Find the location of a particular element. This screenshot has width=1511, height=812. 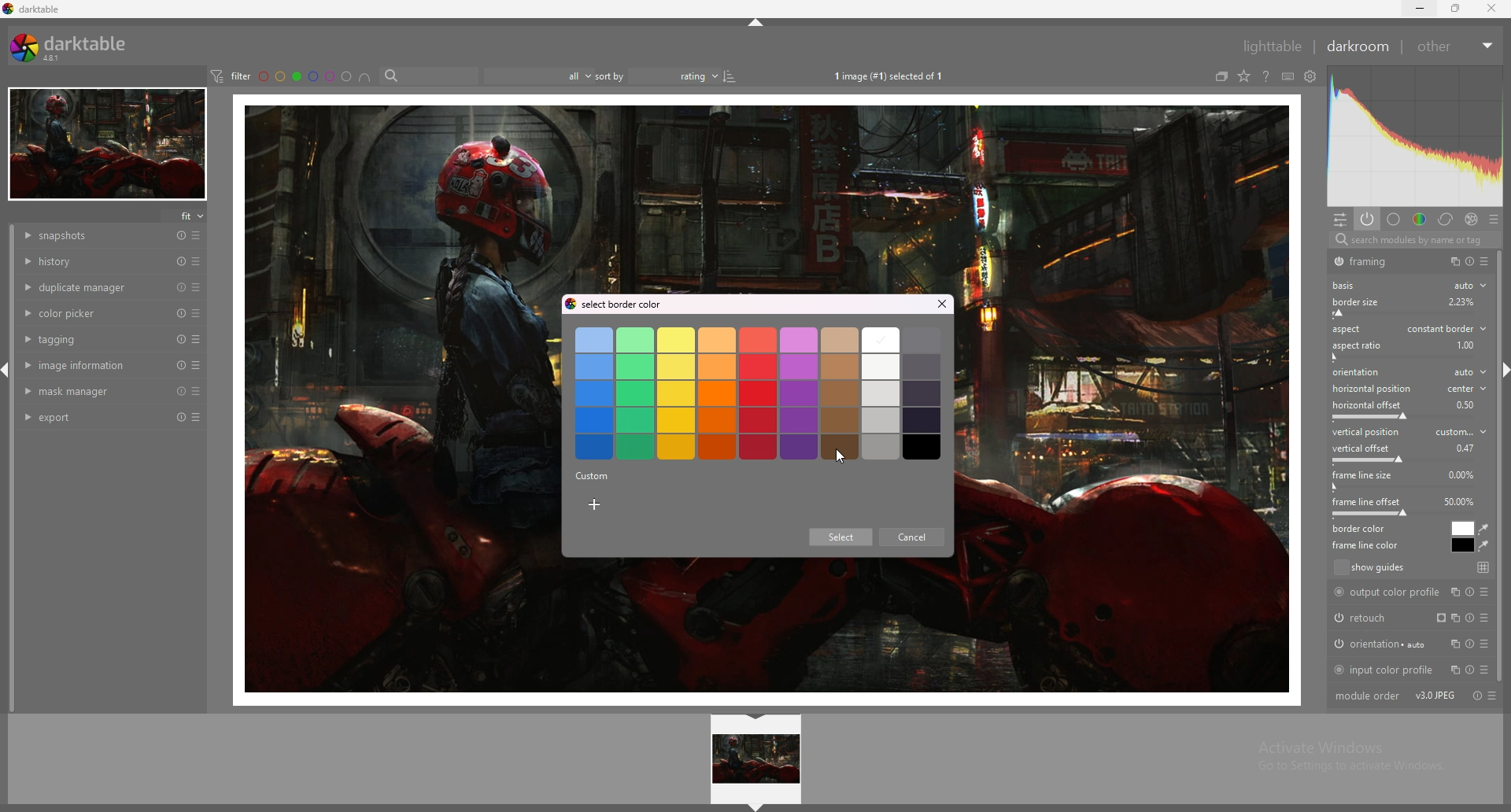

copy is located at coordinates (1451, 261).